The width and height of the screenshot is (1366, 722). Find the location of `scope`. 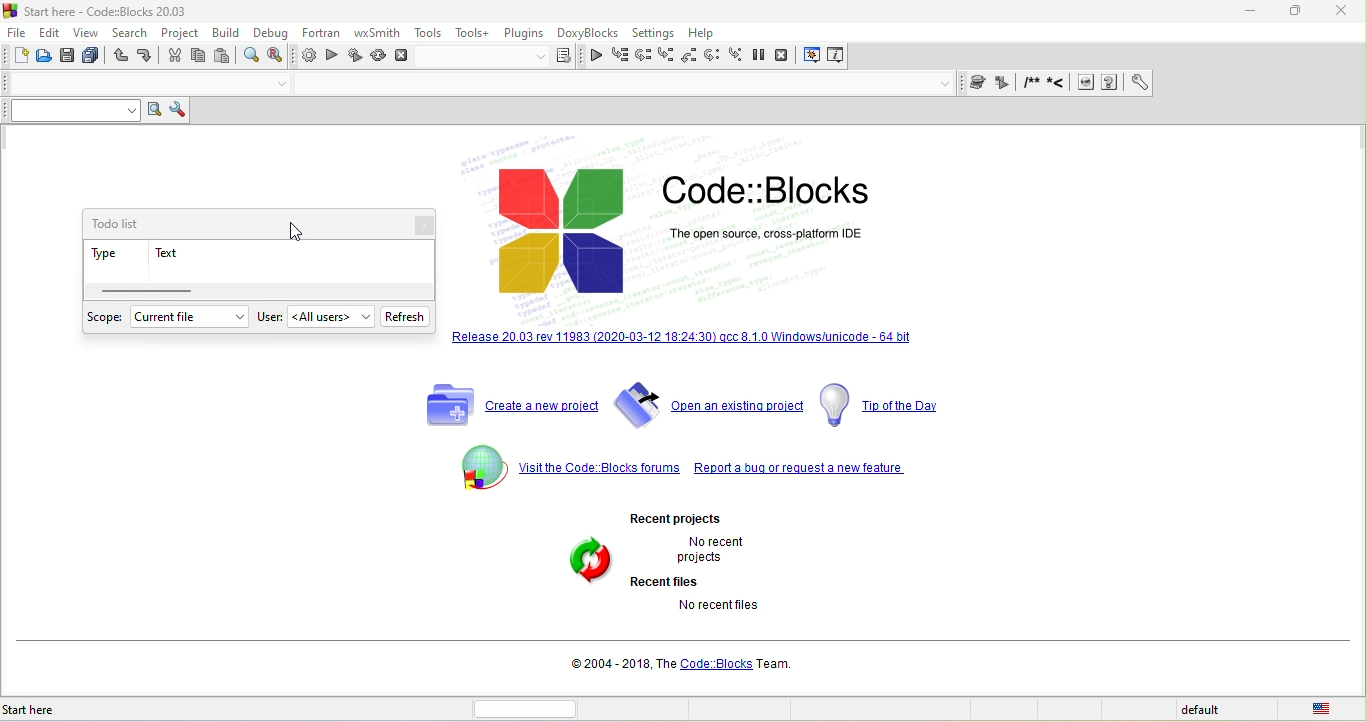

scope is located at coordinates (105, 319).